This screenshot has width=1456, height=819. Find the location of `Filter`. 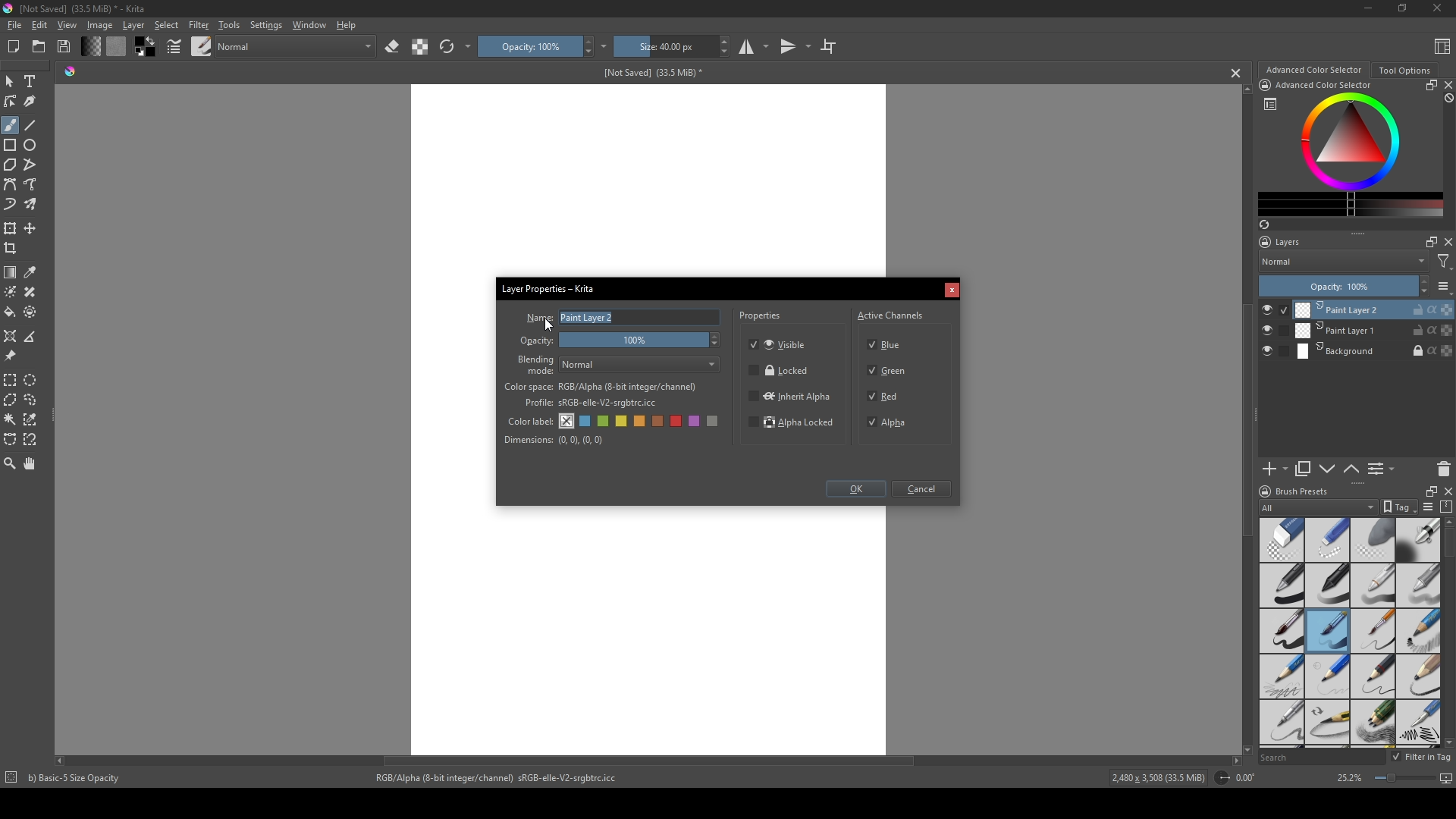

Filter is located at coordinates (198, 25).